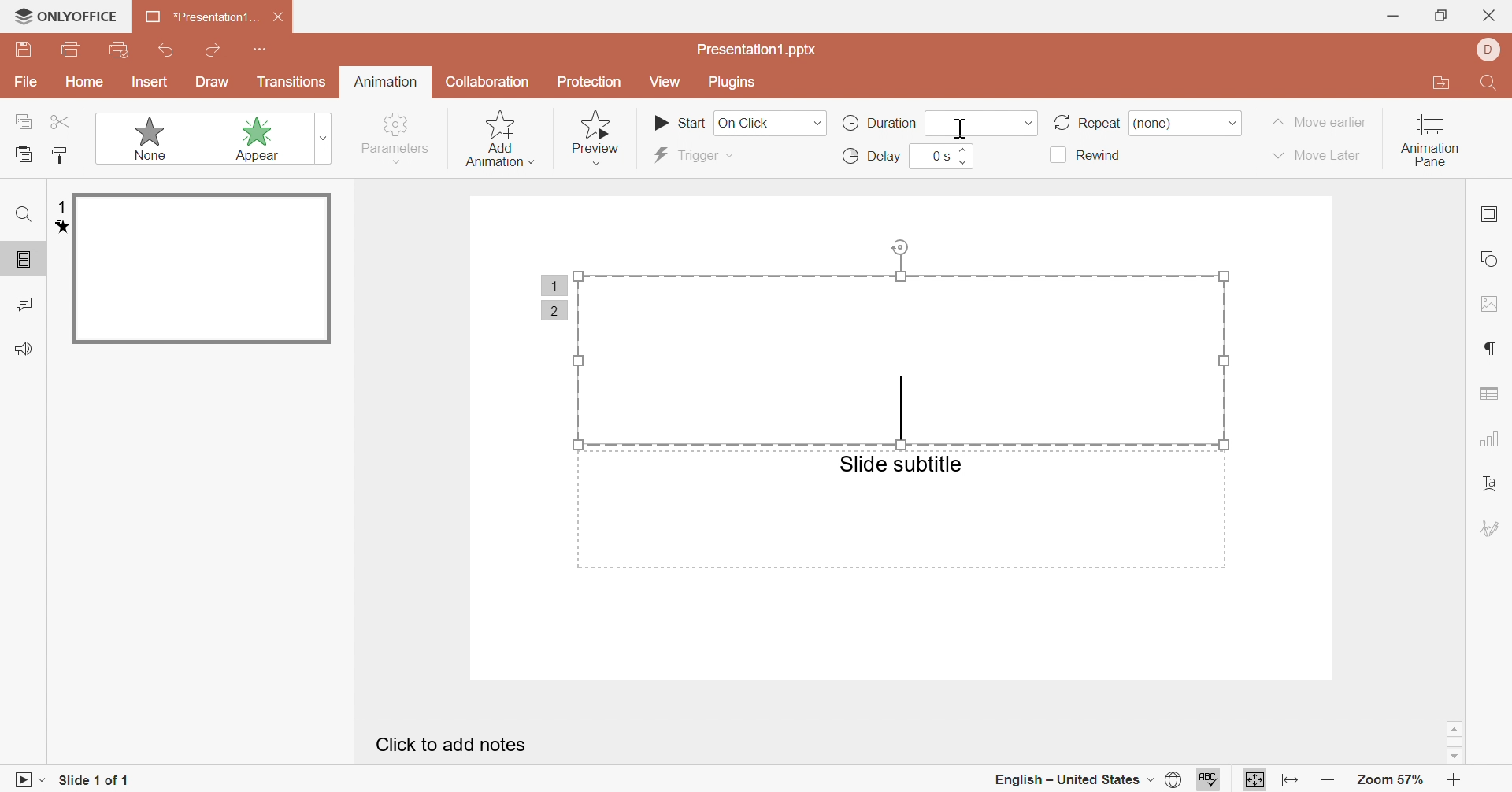  What do you see at coordinates (1491, 527) in the screenshot?
I see `signature settings` at bounding box center [1491, 527].